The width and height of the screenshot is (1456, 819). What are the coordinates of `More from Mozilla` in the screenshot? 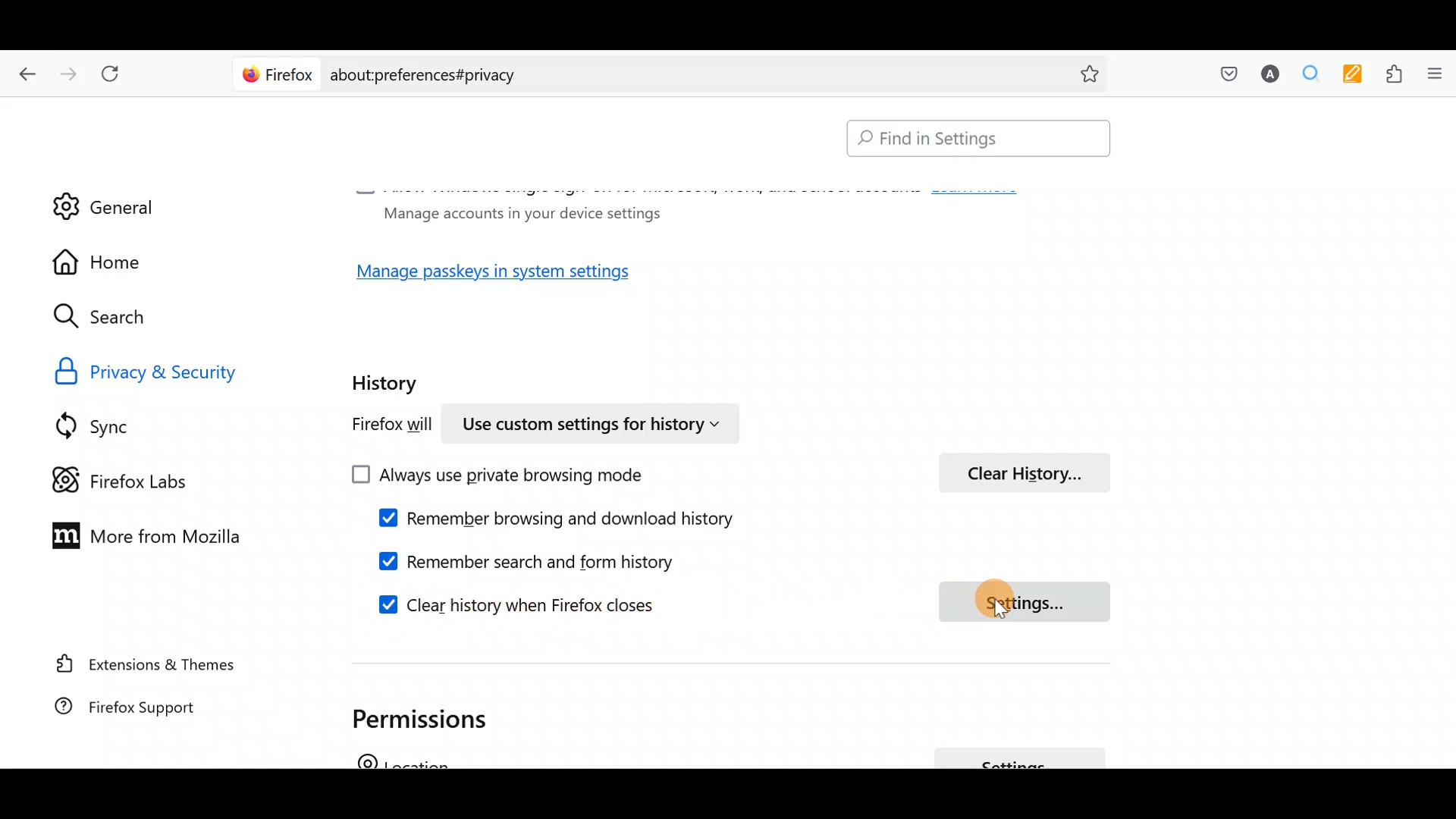 It's located at (139, 534).